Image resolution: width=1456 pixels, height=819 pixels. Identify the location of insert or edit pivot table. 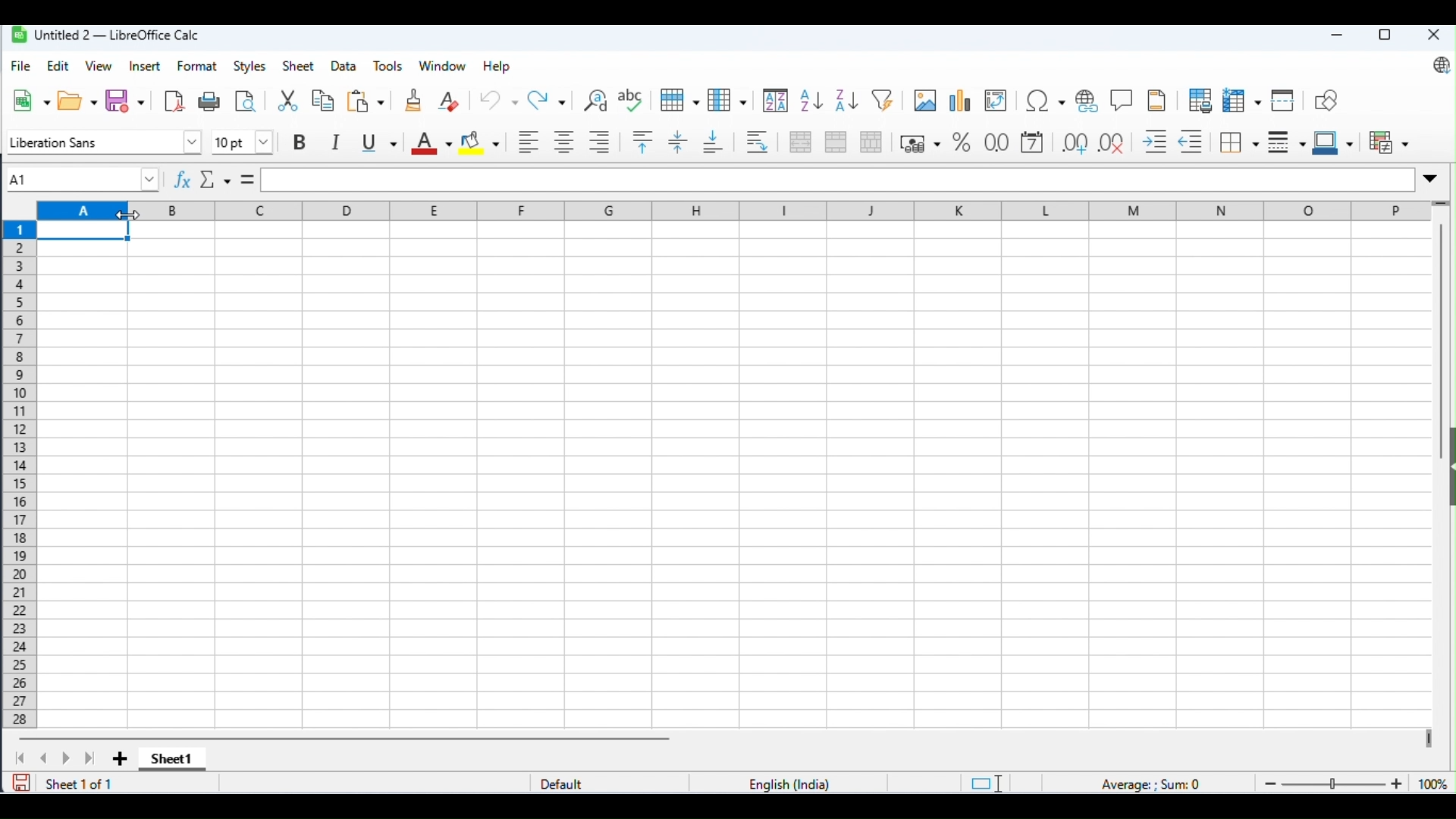
(996, 102).